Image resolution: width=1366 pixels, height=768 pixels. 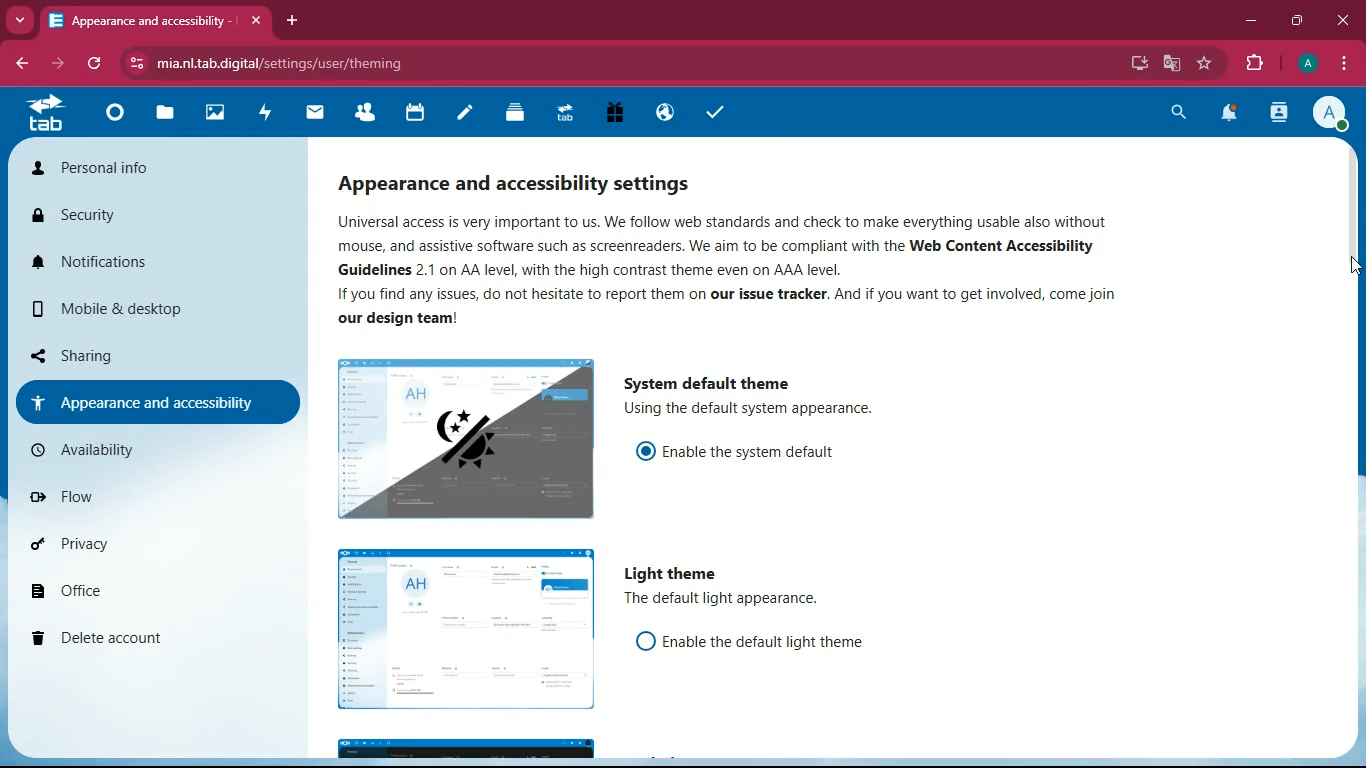 What do you see at coordinates (153, 218) in the screenshot?
I see `security` at bounding box center [153, 218].